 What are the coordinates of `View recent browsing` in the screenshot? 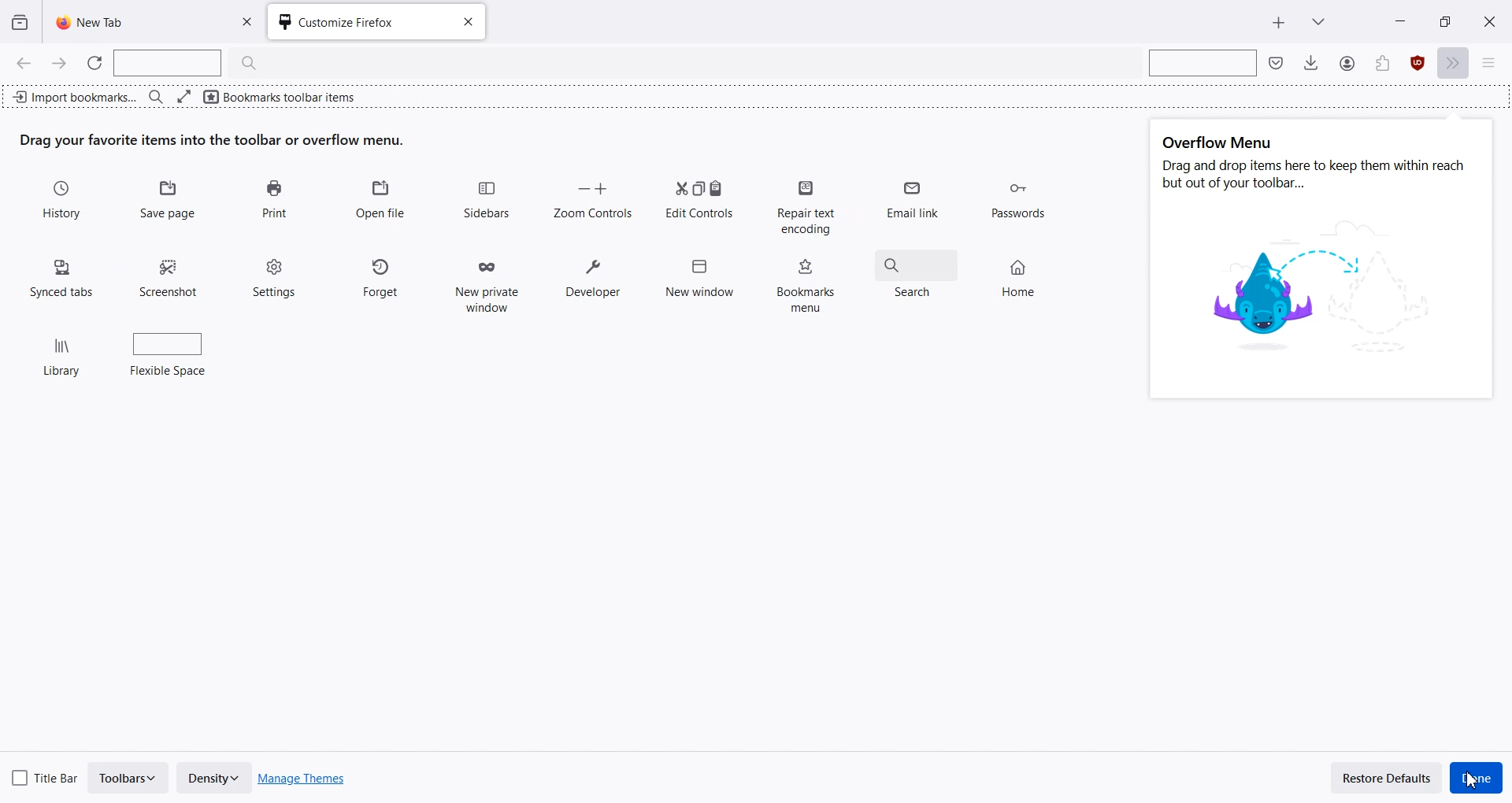 It's located at (20, 23).